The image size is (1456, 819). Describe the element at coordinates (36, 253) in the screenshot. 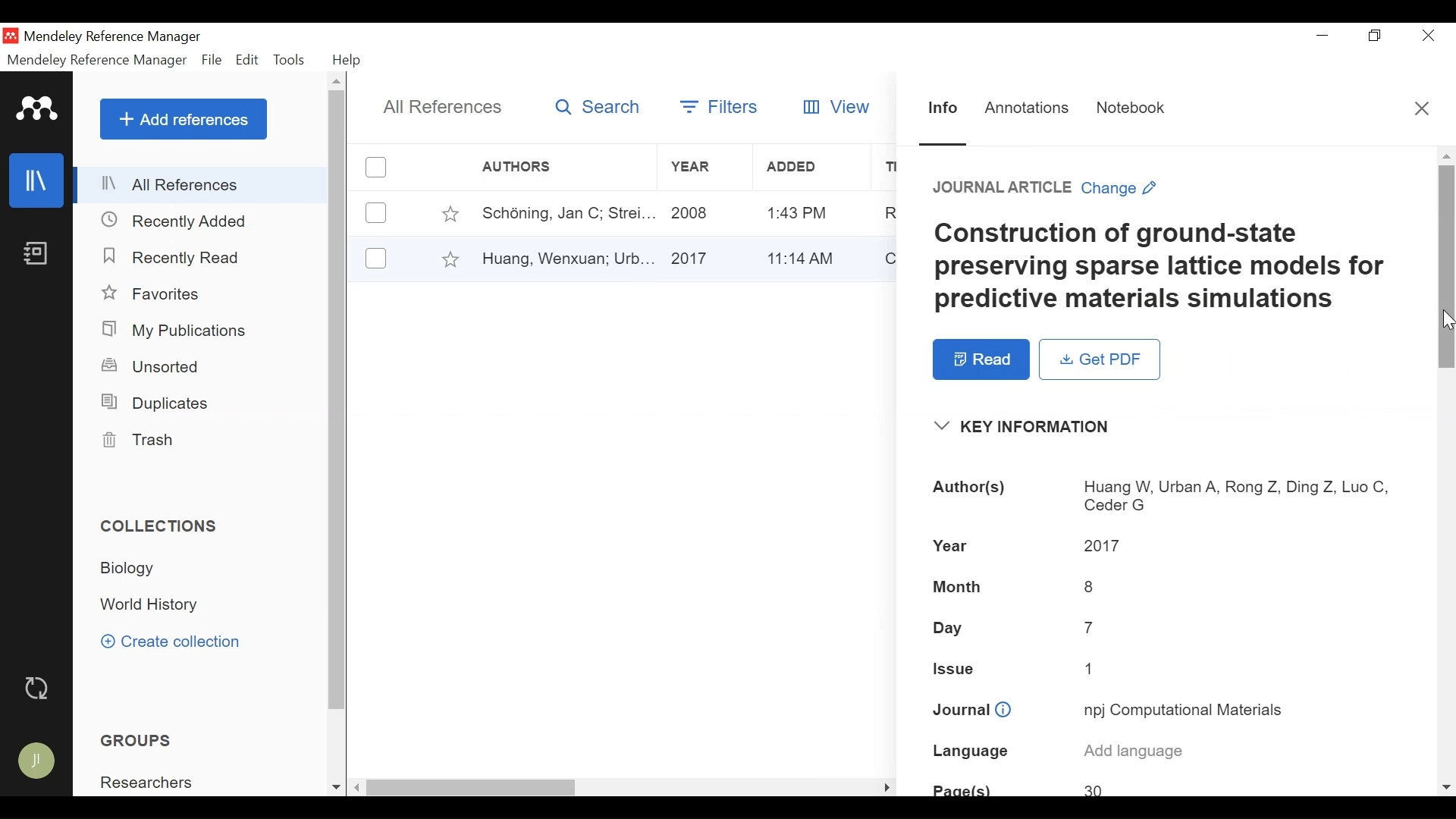

I see `Notebook` at that location.